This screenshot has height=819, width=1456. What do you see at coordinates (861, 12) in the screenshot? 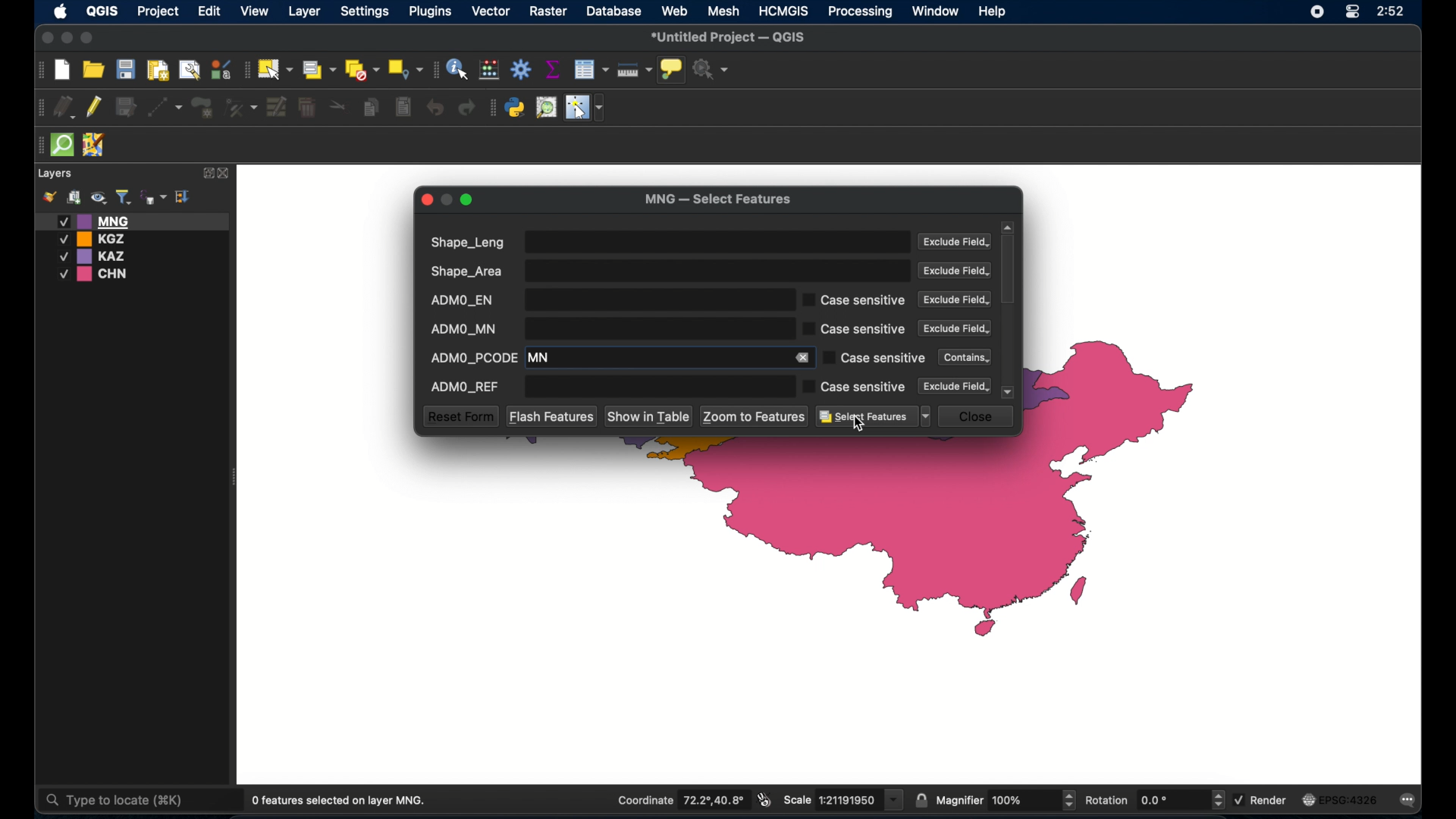
I see `processing` at bounding box center [861, 12].